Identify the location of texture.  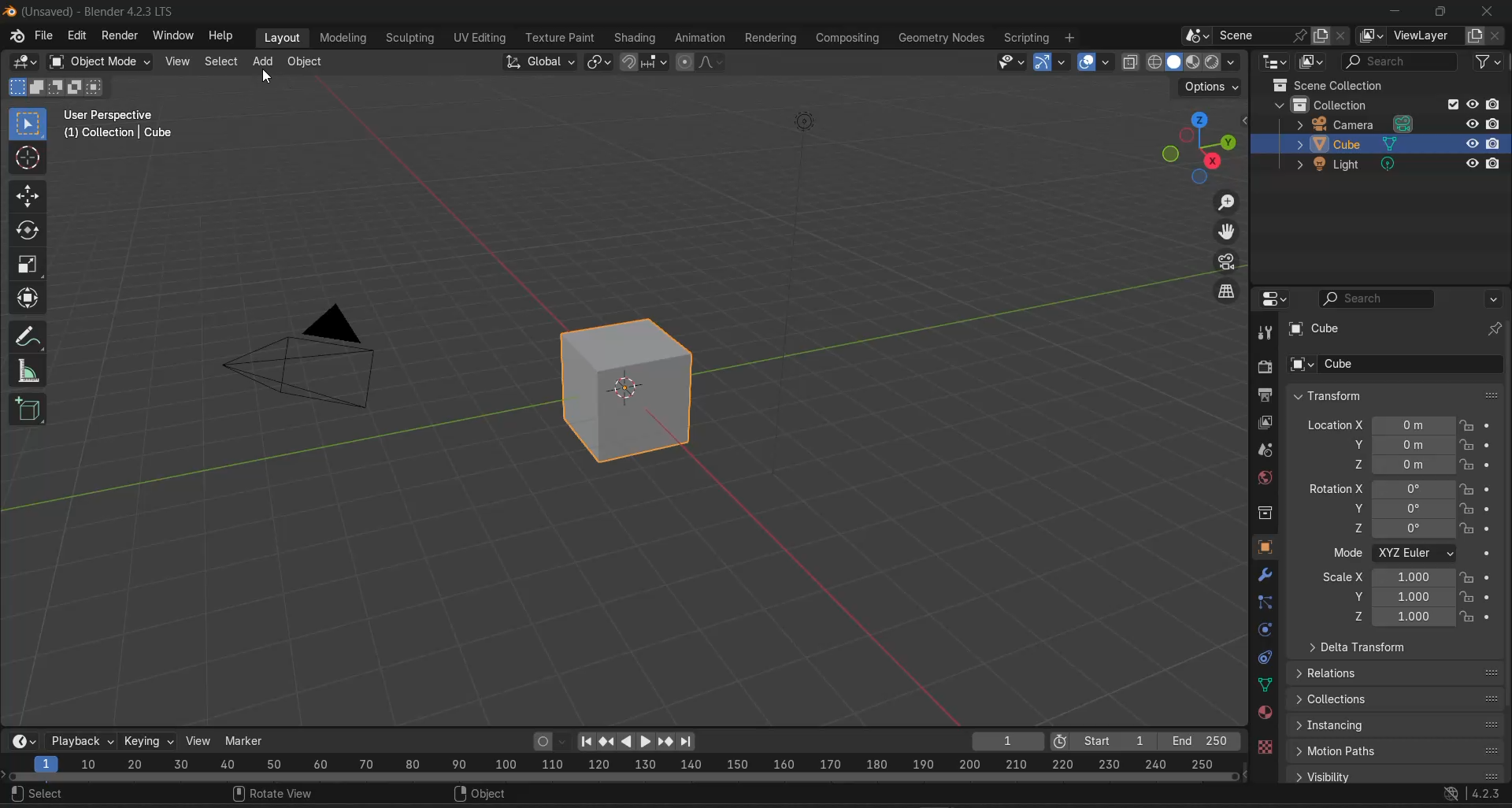
(1265, 749).